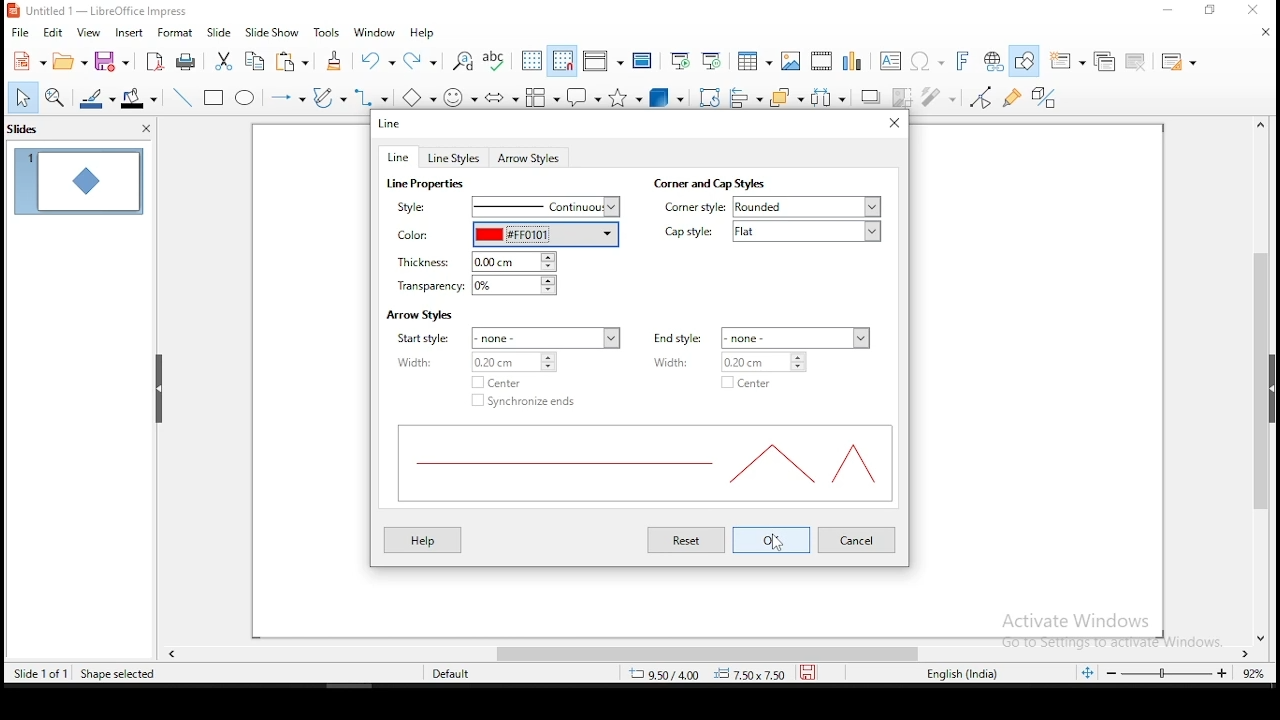  I want to click on scroll bar, so click(687, 651).